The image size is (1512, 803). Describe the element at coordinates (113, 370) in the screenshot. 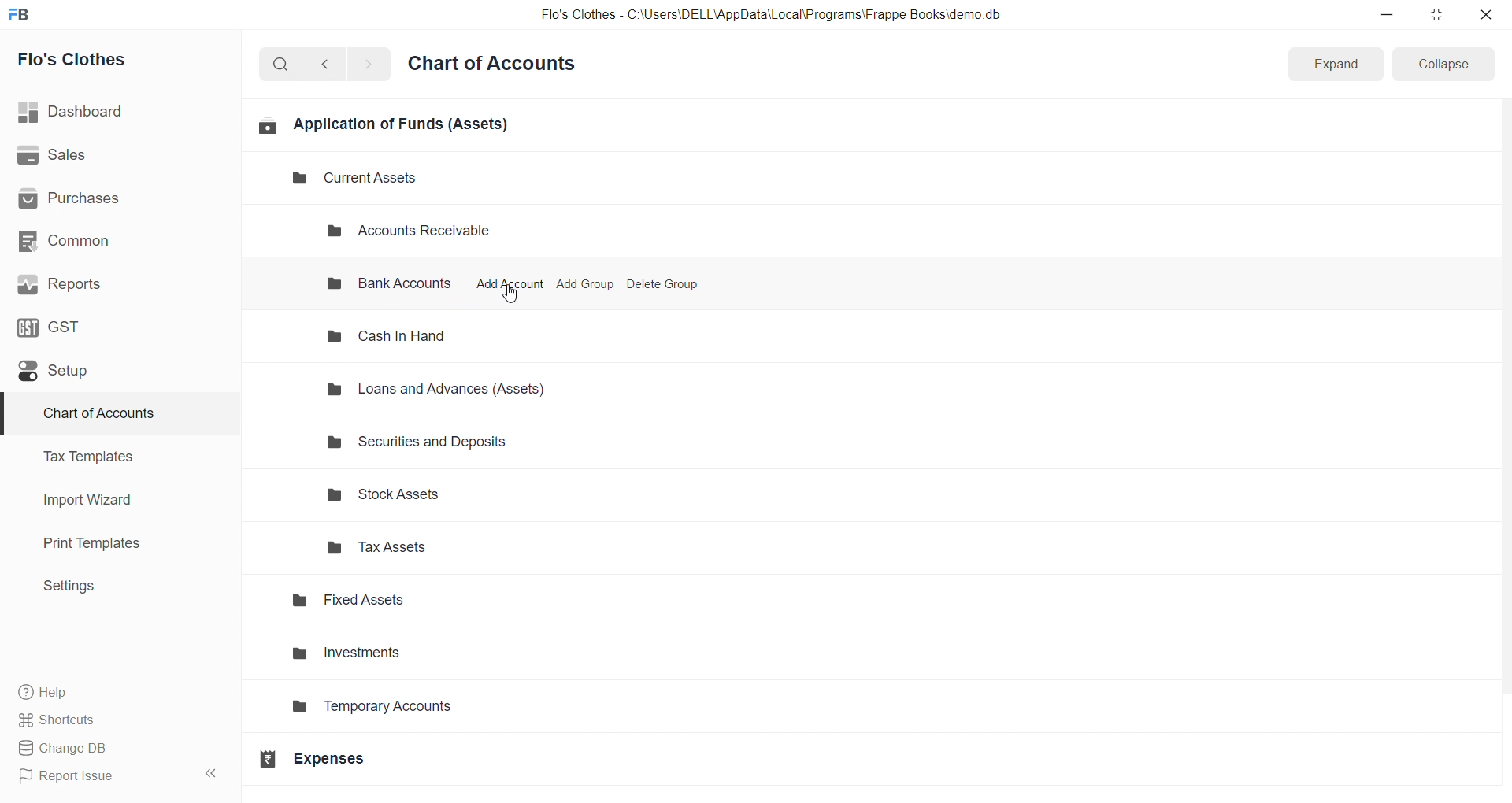

I see `Setup` at that location.